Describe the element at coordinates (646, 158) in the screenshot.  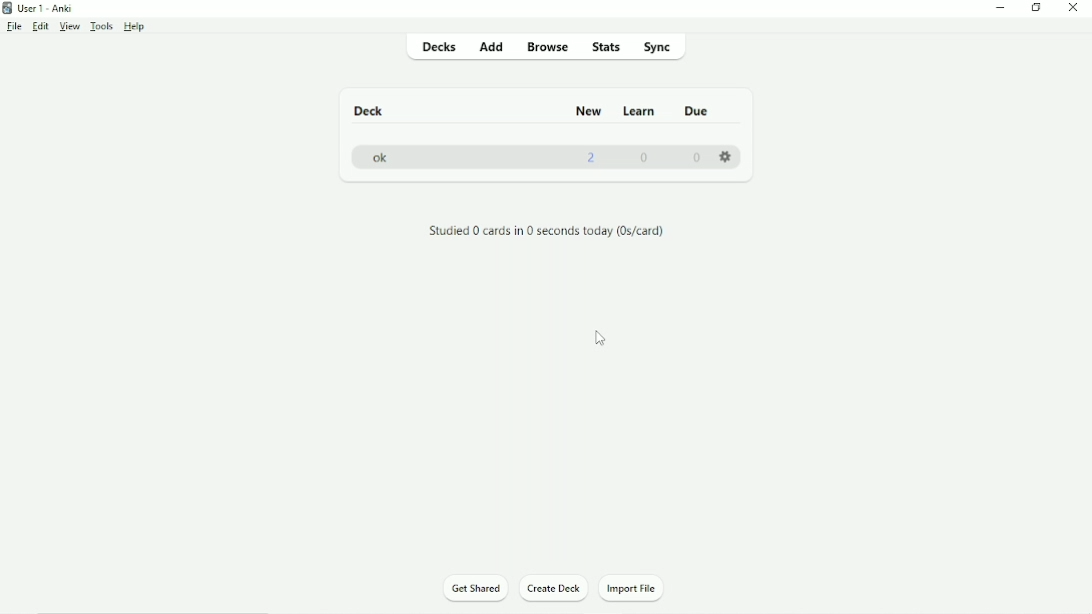
I see `0` at that location.